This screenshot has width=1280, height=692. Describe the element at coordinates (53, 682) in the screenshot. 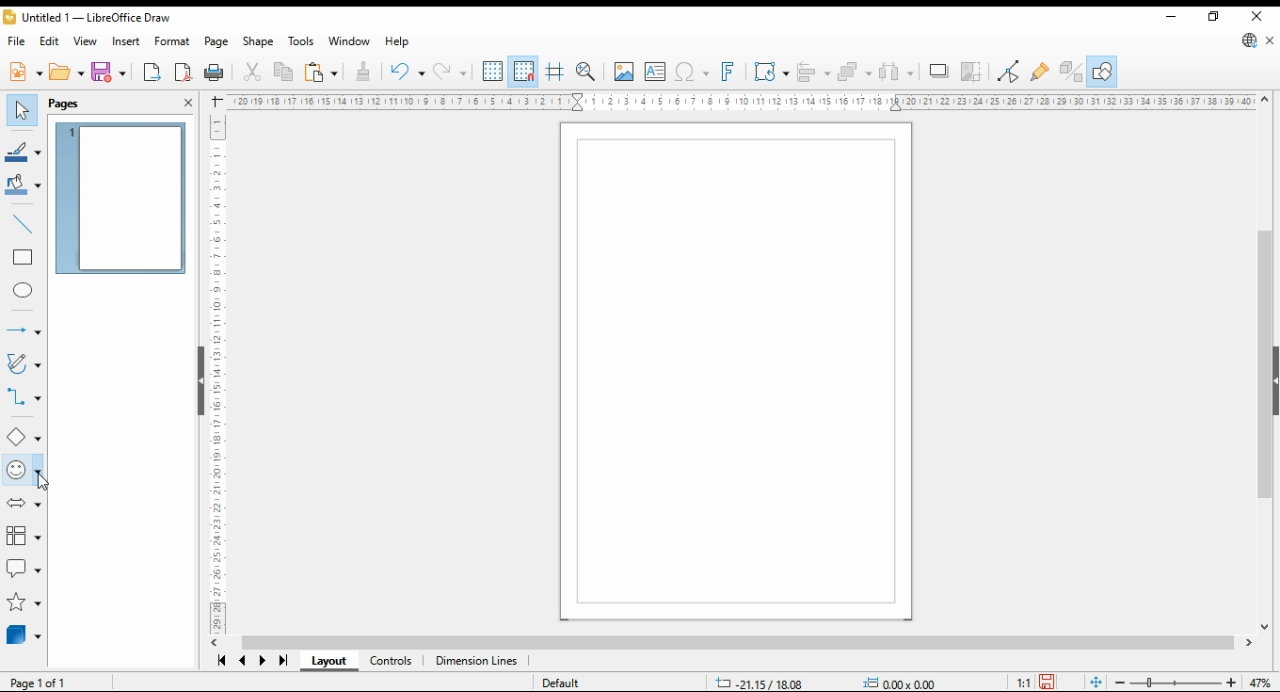

I see `Page` at that location.